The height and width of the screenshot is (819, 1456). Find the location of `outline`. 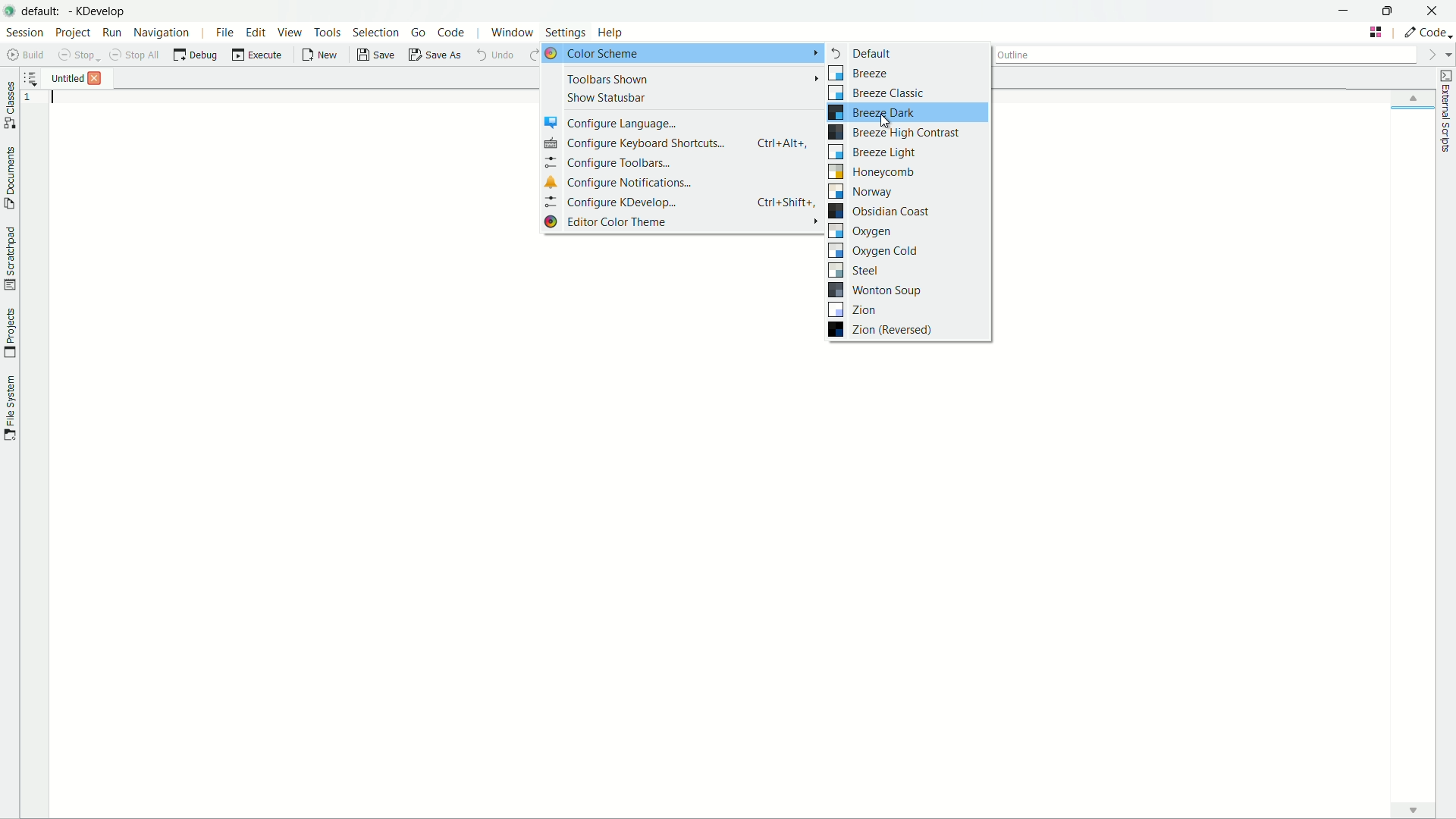

outline is located at coordinates (1204, 57).